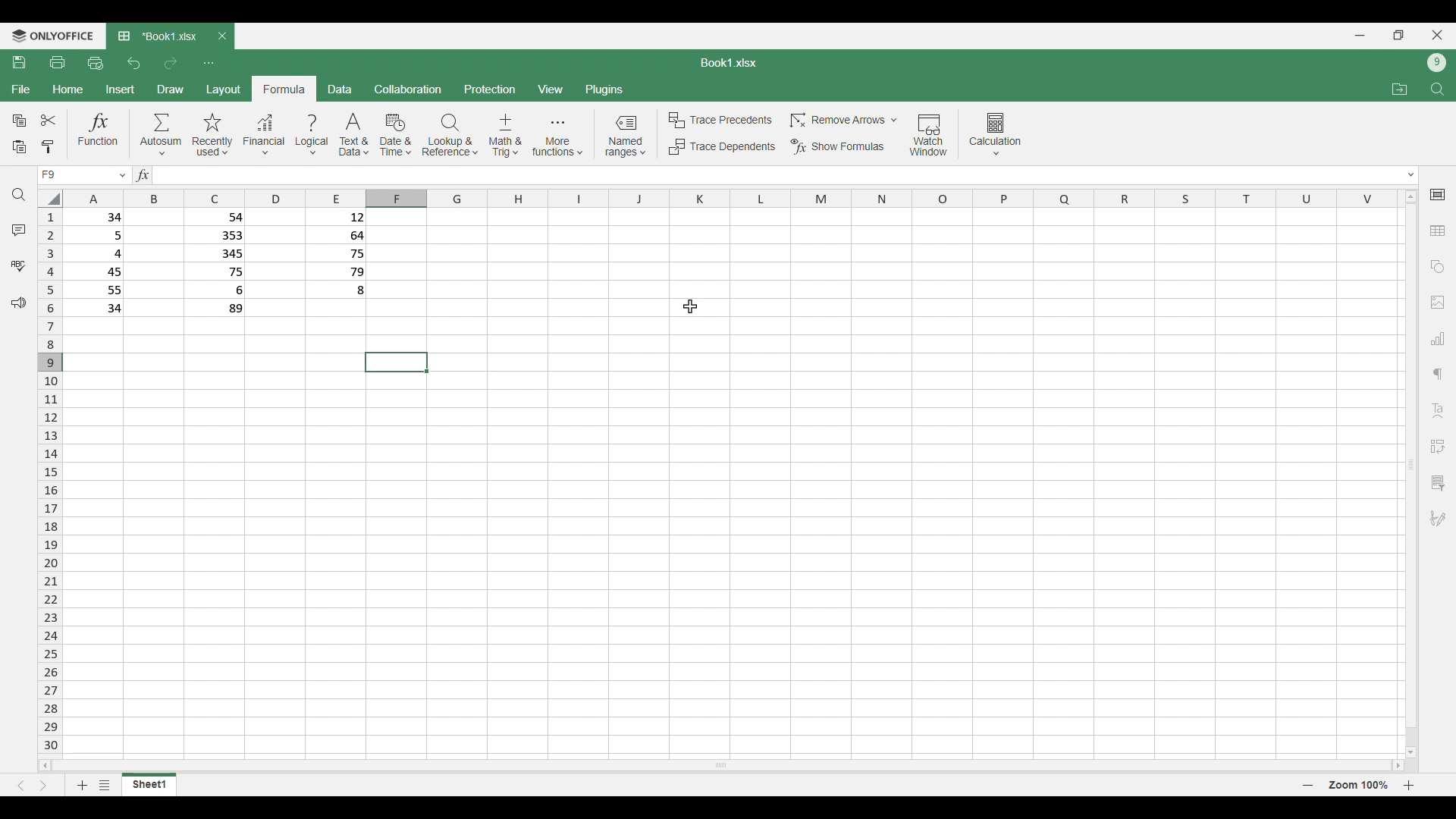  I want to click on Current tab, so click(158, 37).